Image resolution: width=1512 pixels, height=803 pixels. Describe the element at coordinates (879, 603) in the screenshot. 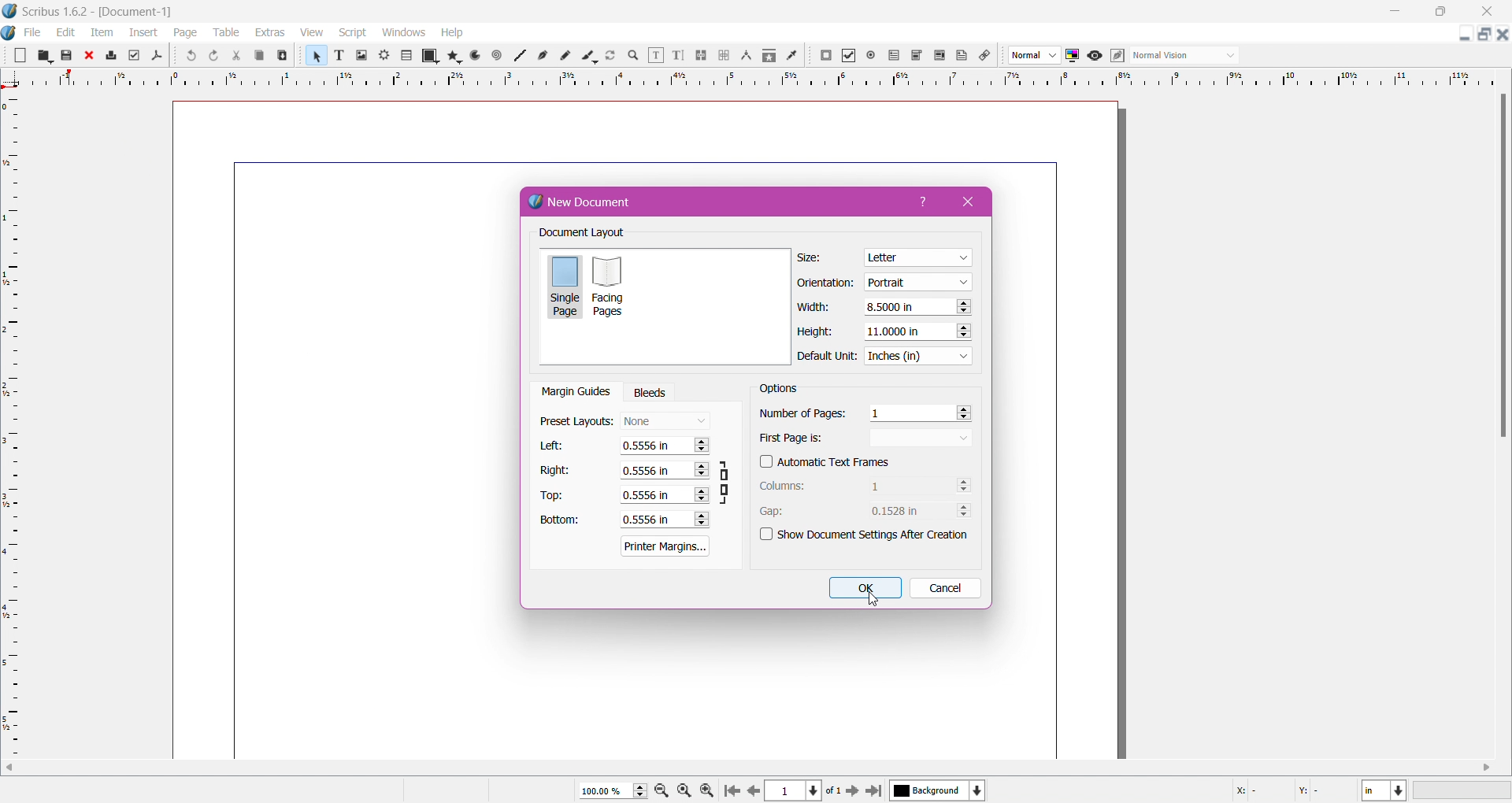

I see `cursor` at that location.